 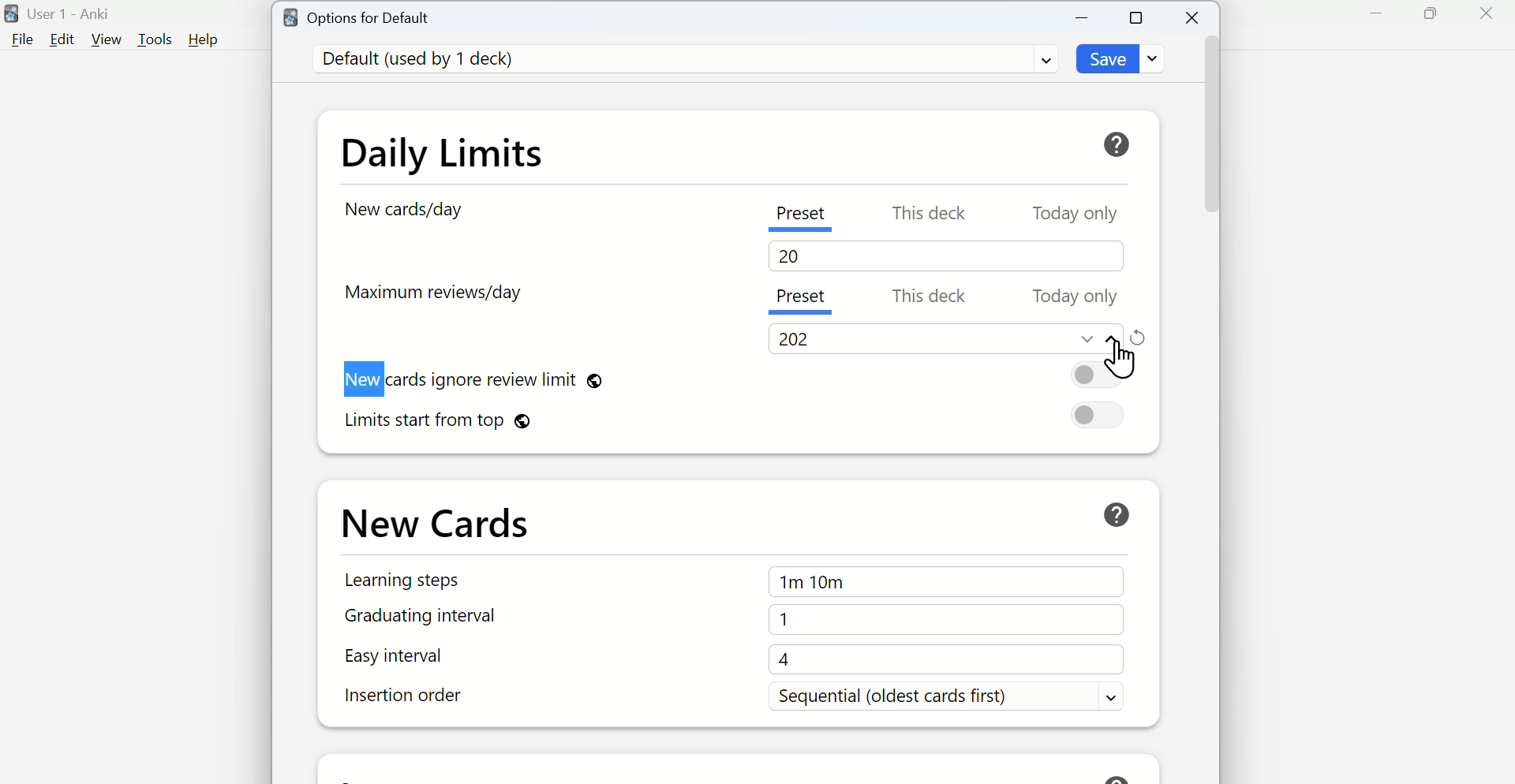 What do you see at coordinates (432, 293) in the screenshot?
I see `Maximum reviews/day` at bounding box center [432, 293].